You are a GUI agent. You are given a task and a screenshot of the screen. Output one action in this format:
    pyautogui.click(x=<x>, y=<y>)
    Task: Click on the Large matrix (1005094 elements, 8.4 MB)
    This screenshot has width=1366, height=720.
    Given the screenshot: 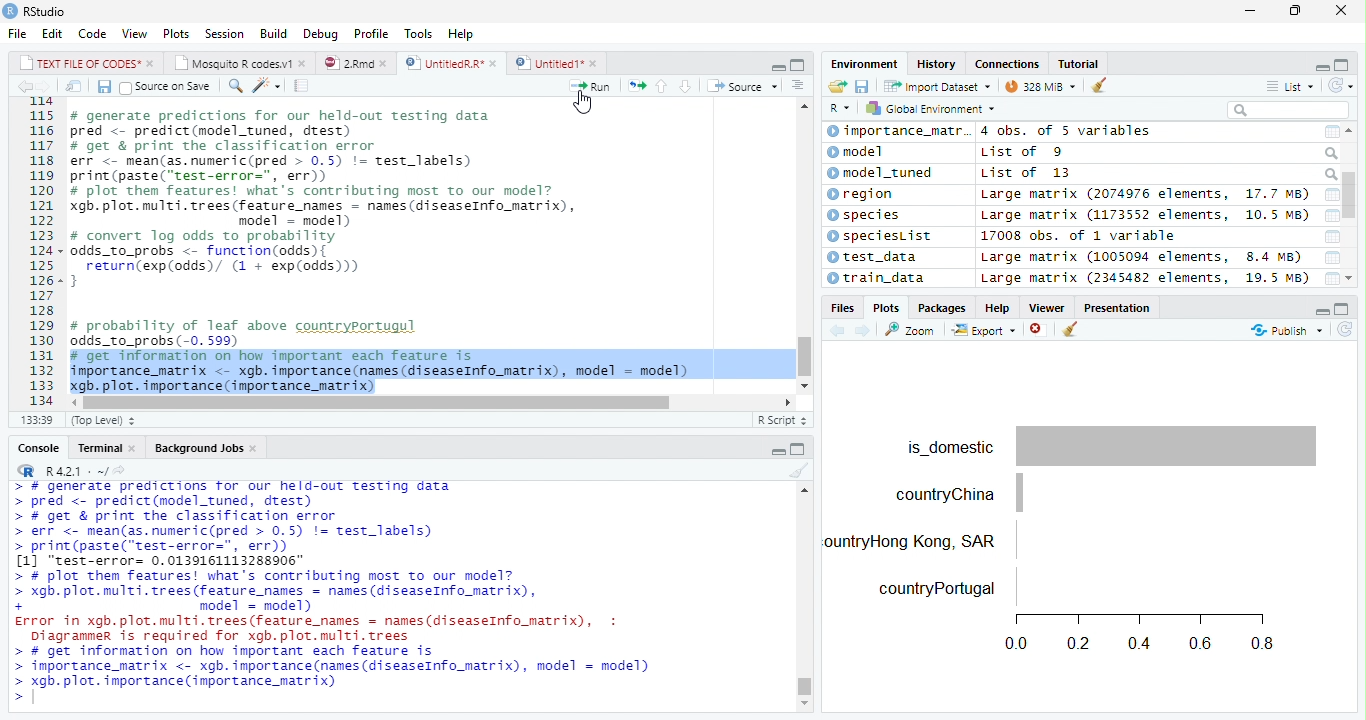 What is the action you would take?
    pyautogui.click(x=1142, y=256)
    